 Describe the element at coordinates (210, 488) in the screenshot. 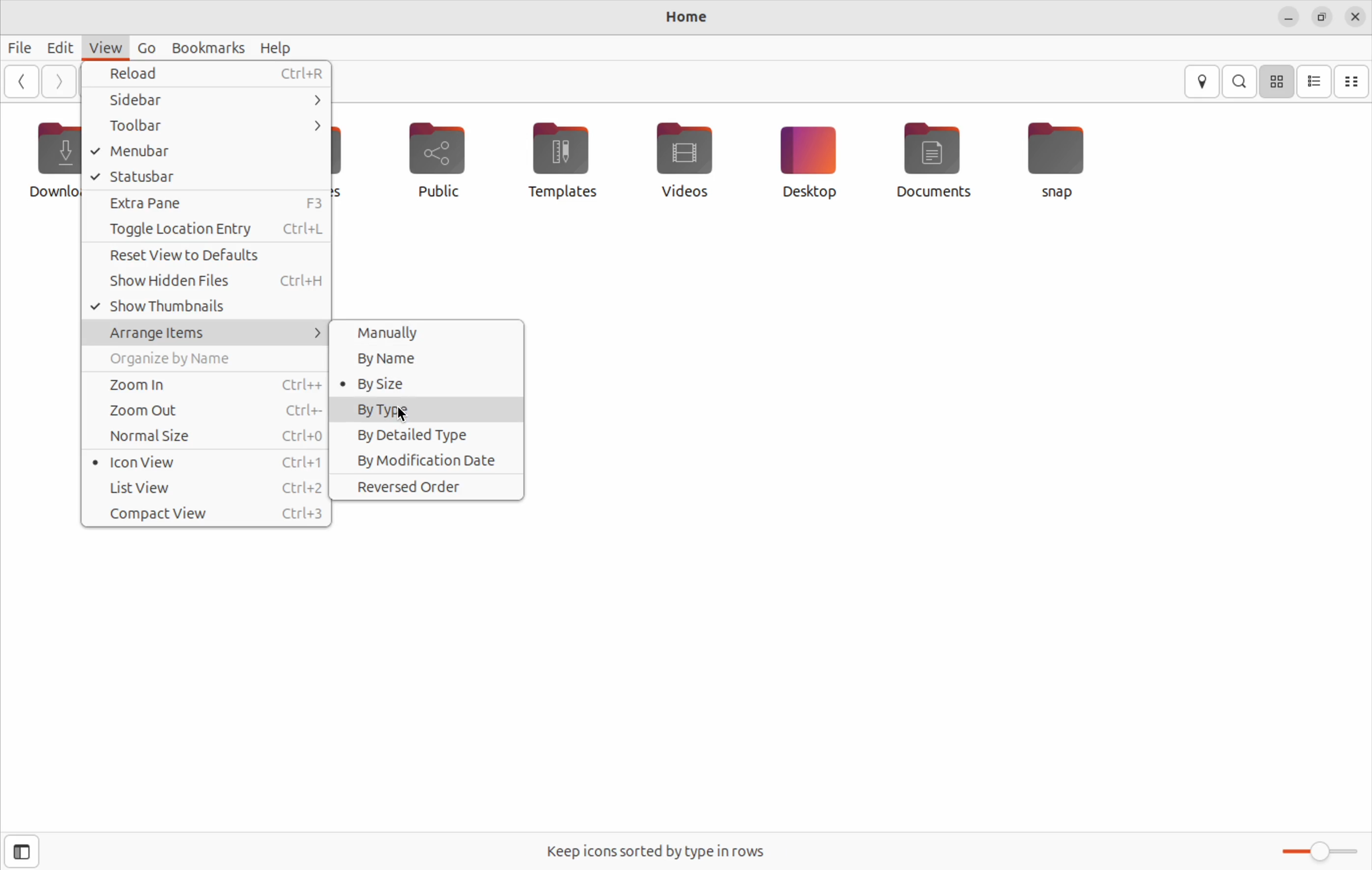

I see `list view` at that location.